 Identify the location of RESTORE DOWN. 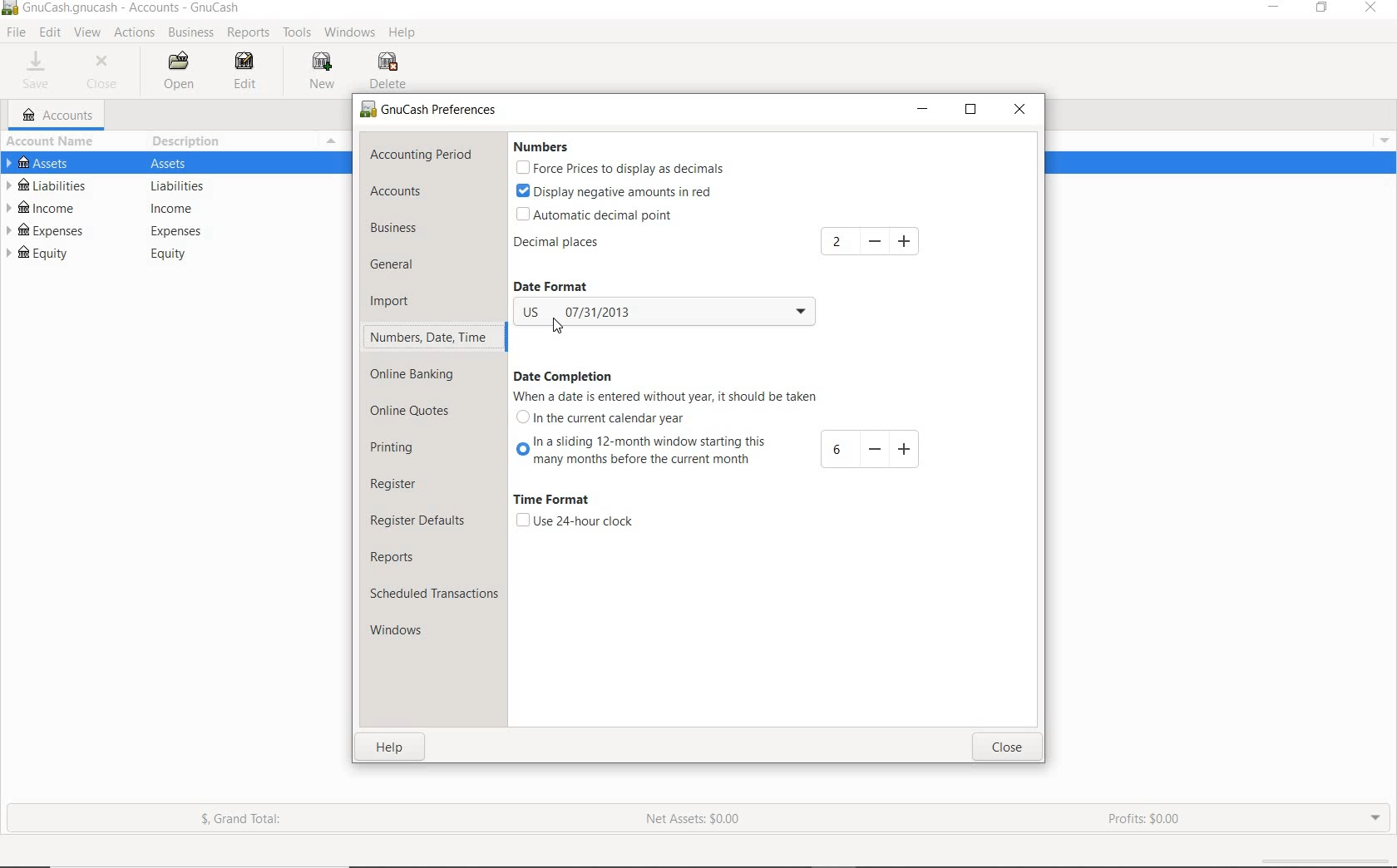
(1327, 11).